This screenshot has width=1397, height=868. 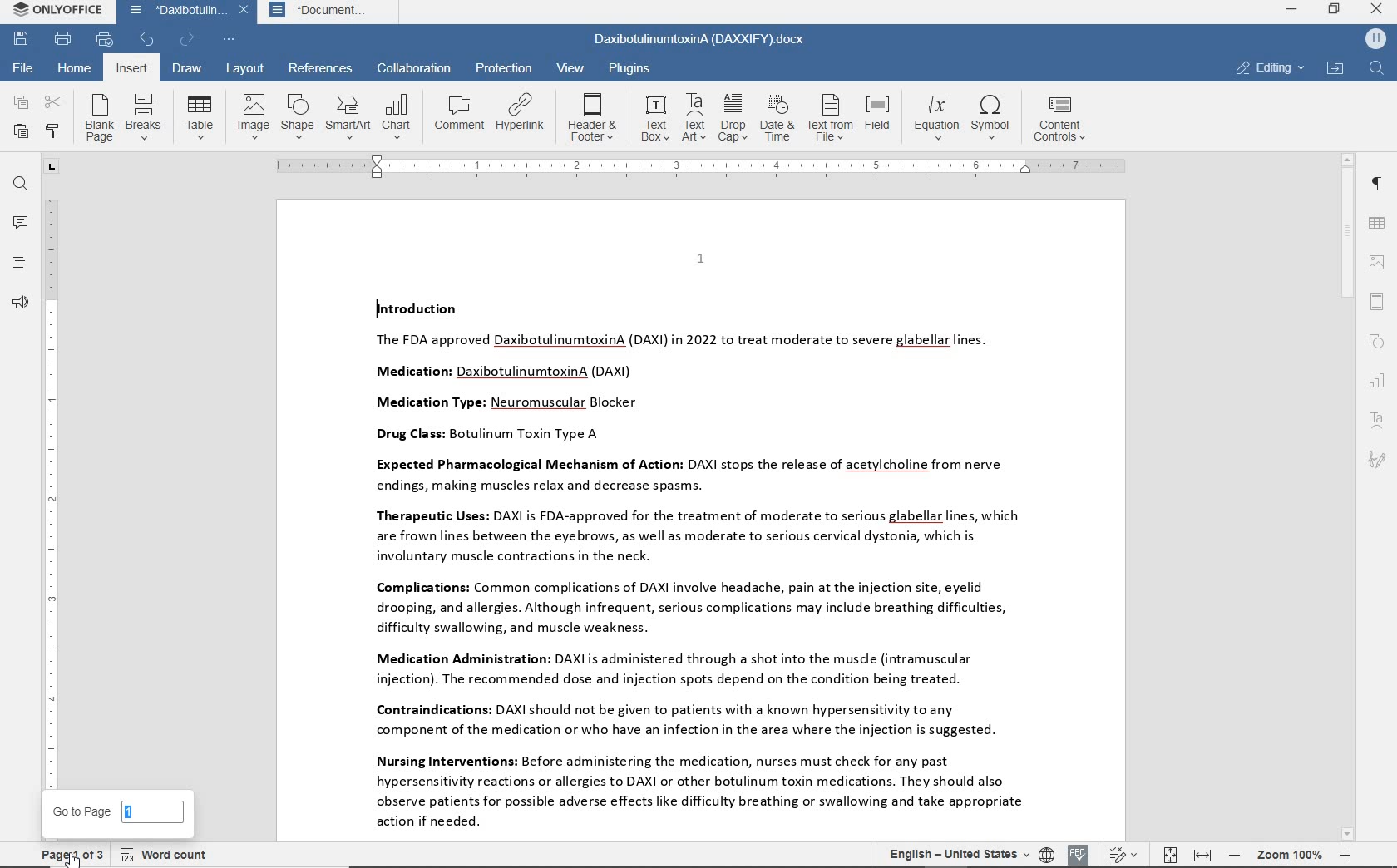 What do you see at coordinates (98, 118) in the screenshot?
I see `blank page` at bounding box center [98, 118].